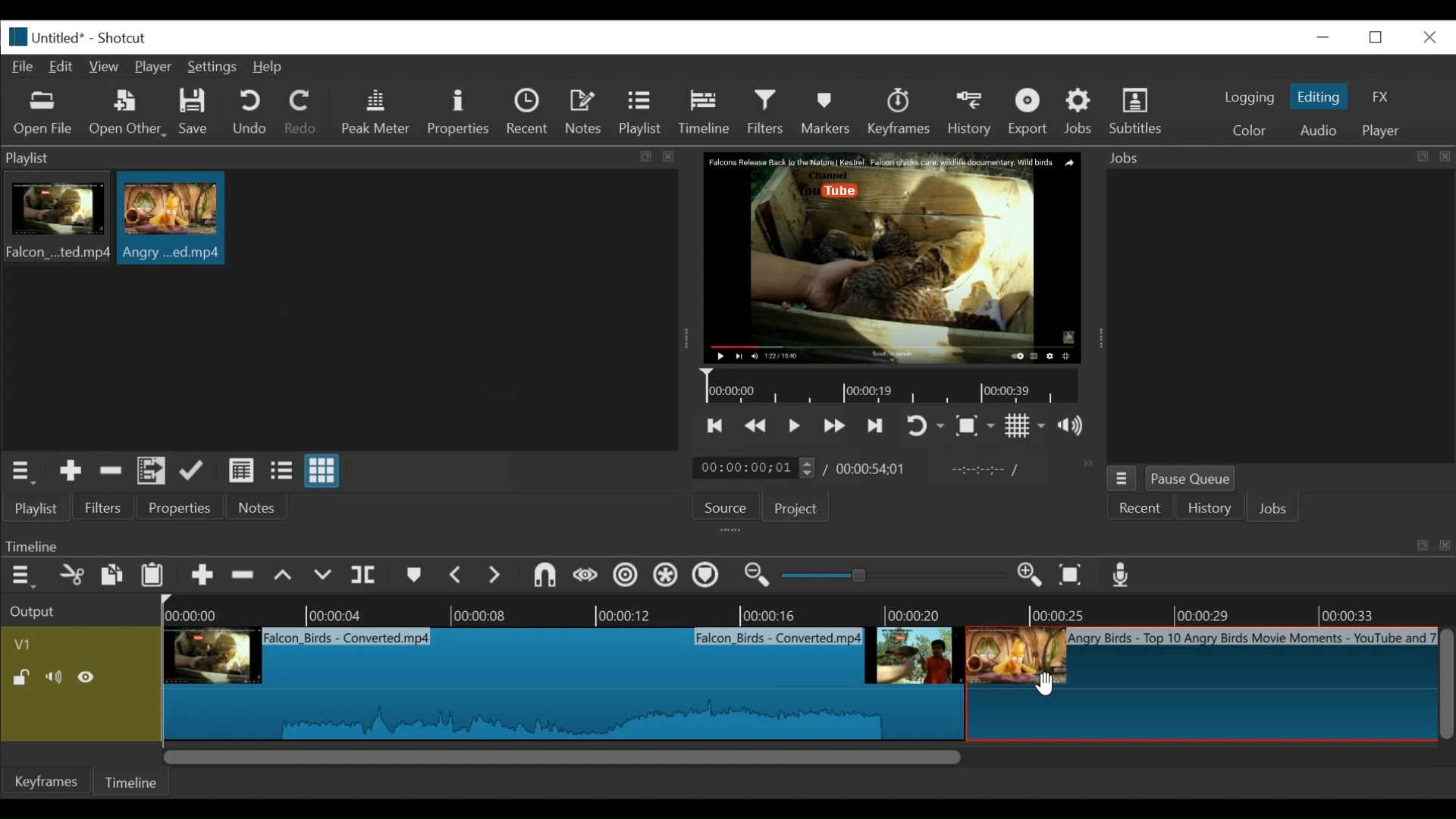 The width and height of the screenshot is (1456, 819). What do you see at coordinates (457, 578) in the screenshot?
I see `Previous marker` at bounding box center [457, 578].